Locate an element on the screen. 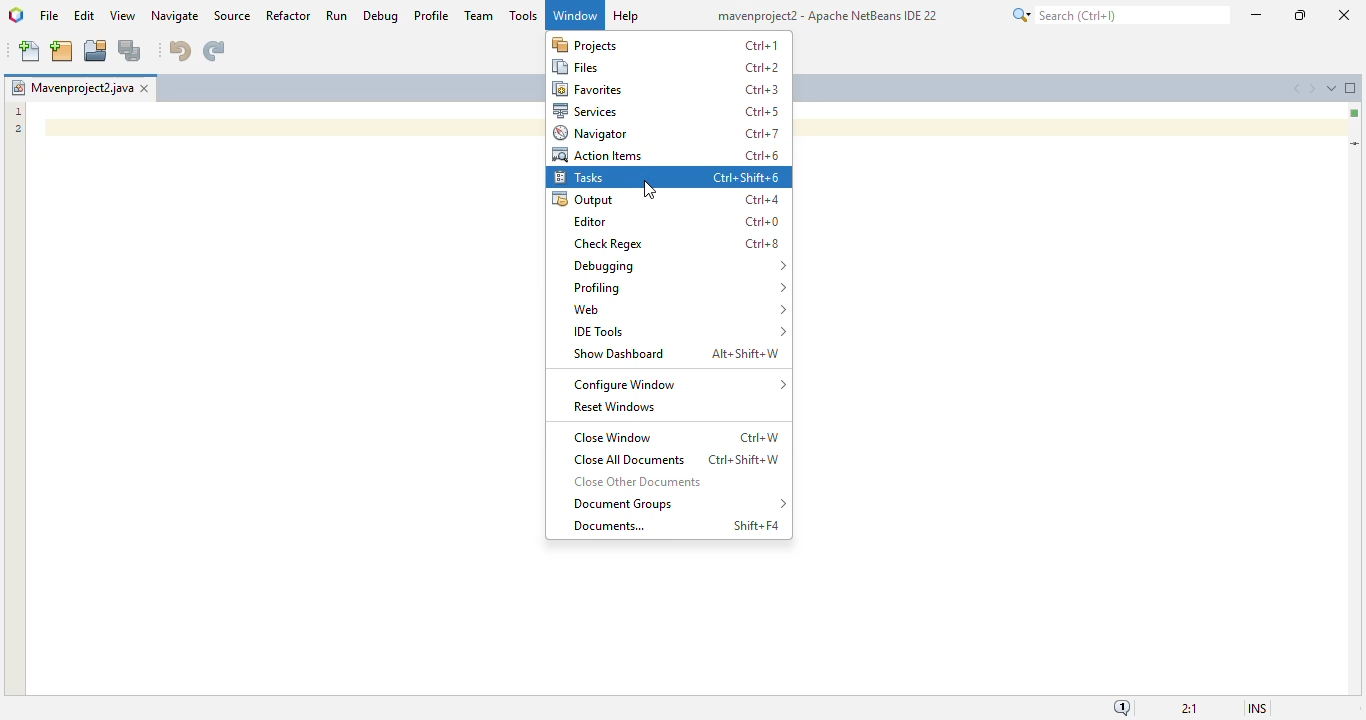  maximize is located at coordinates (1300, 15).